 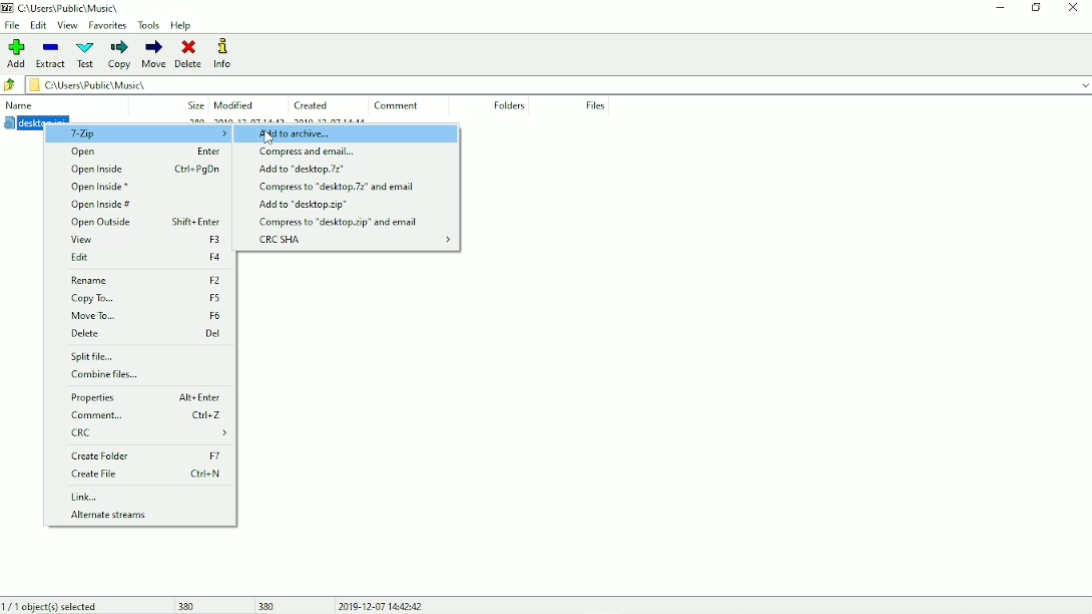 I want to click on Create File, so click(x=148, y=475).